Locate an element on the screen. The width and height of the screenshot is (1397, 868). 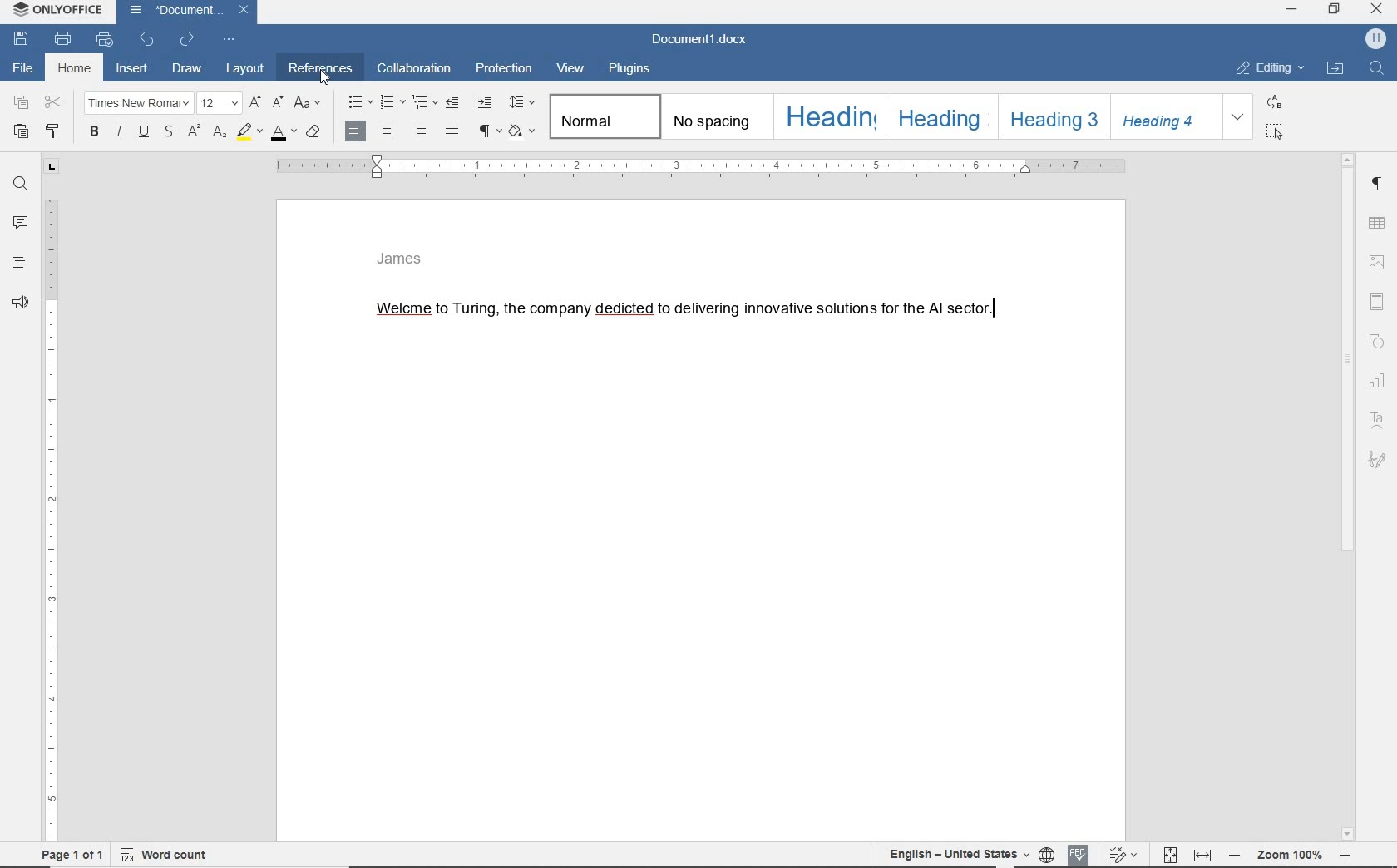
set document language is located at coordinates (1048, 855).